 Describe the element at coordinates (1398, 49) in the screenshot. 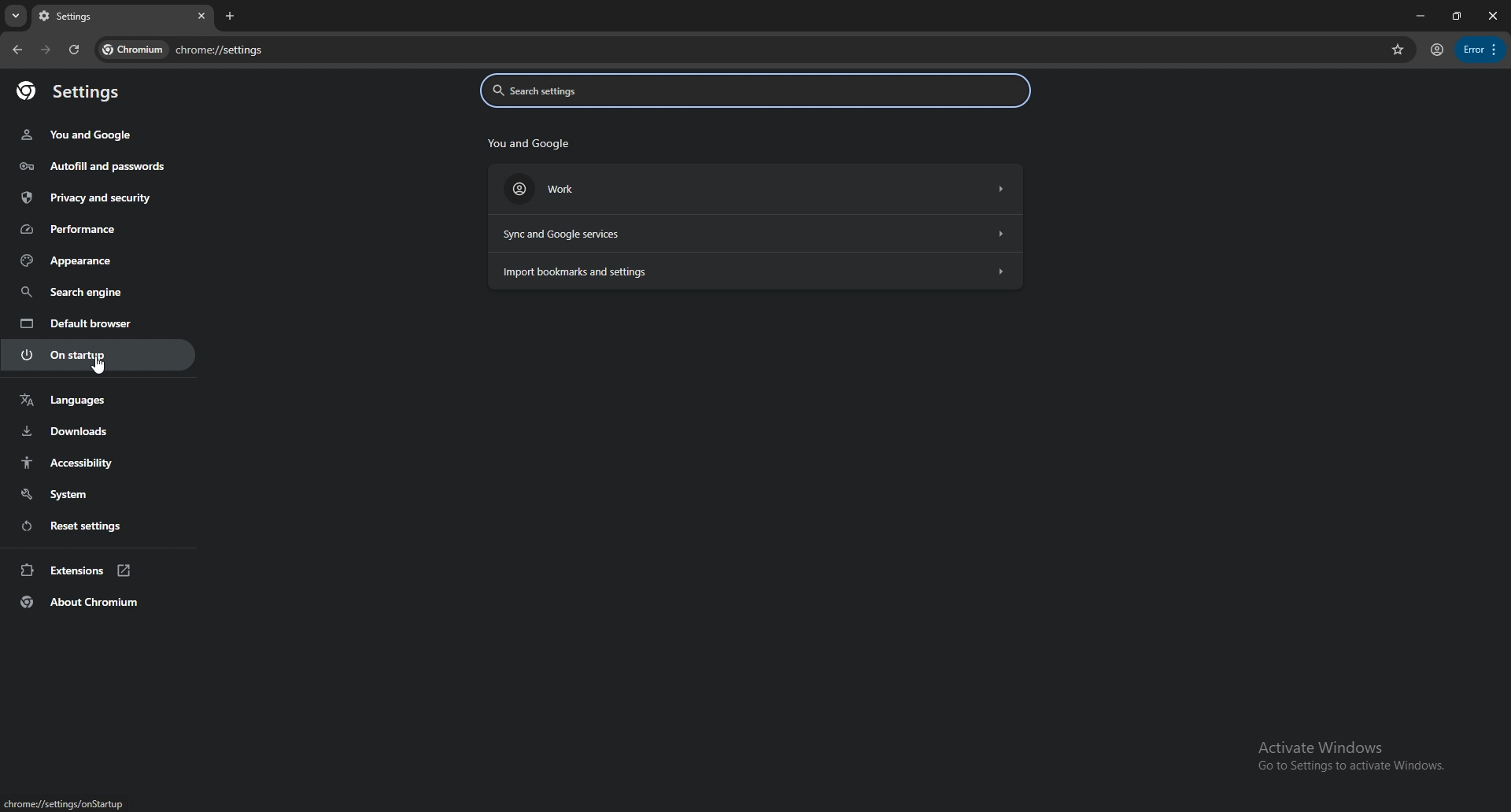

I see `favorites` at that location.